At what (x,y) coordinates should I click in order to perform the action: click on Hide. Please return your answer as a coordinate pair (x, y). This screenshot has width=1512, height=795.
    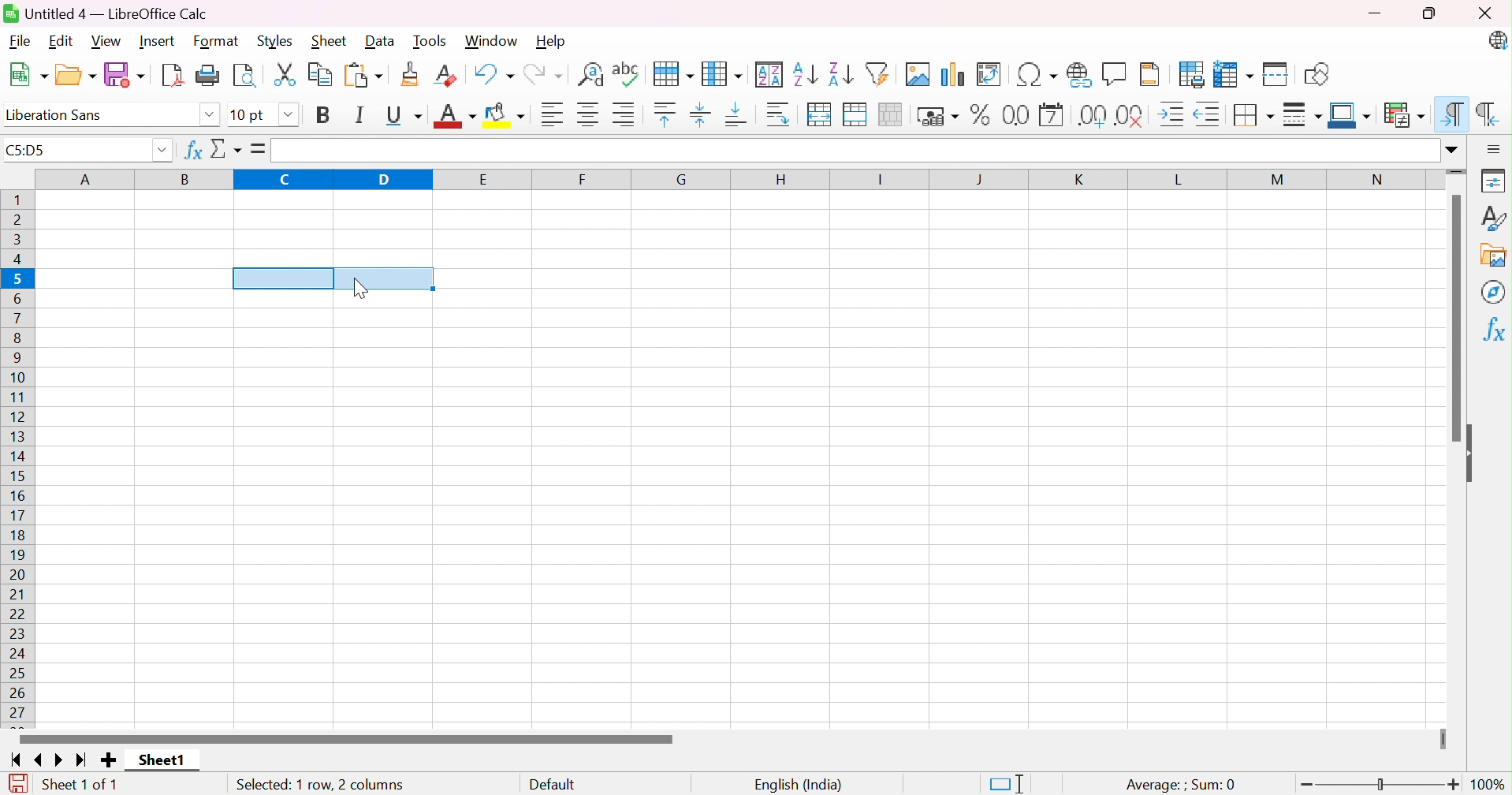
    Looking at the image, I should click on (1474, 453).